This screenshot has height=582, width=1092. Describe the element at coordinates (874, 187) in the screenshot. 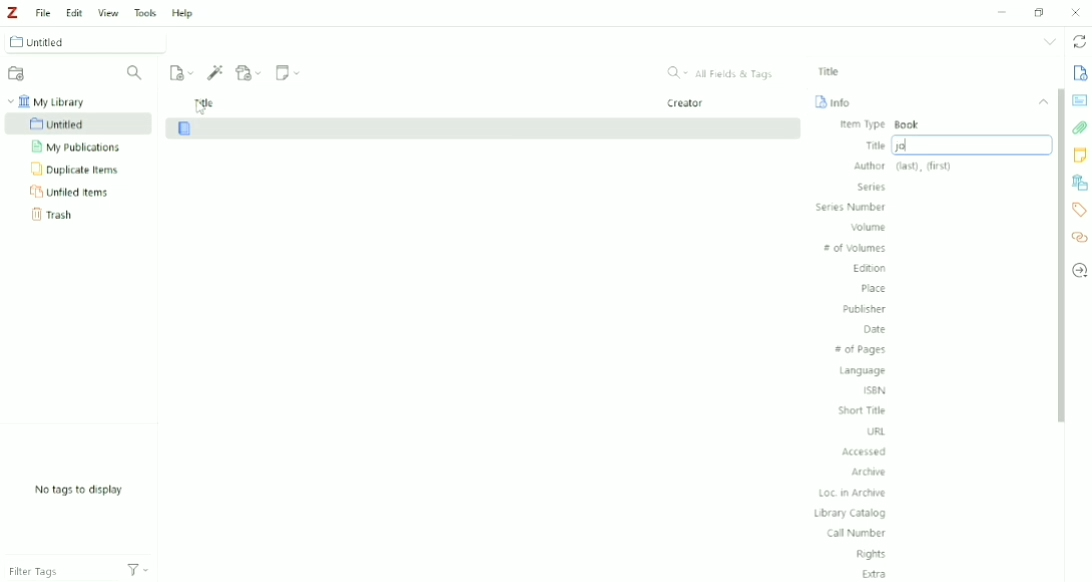

I see `Series` at that location.